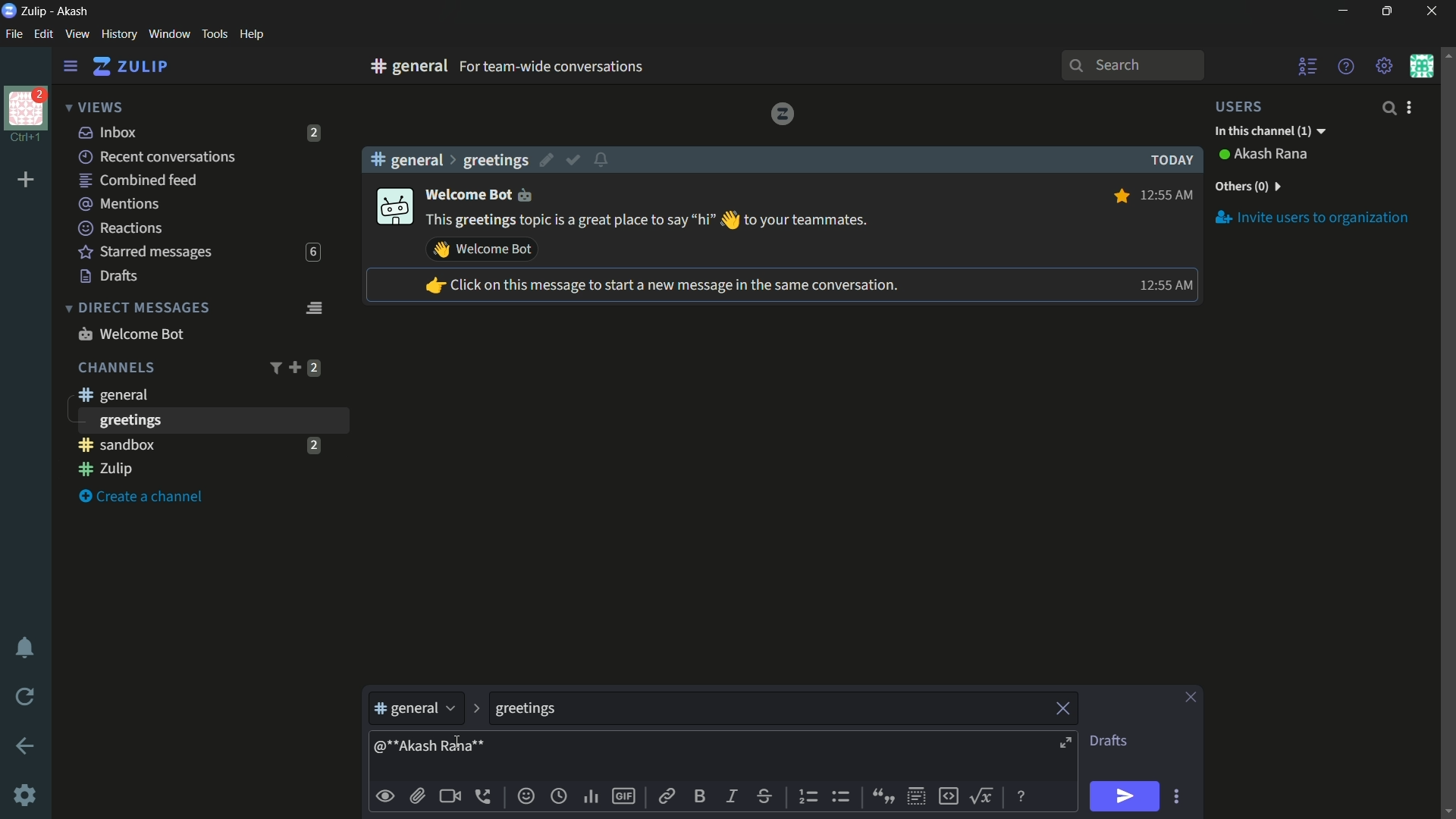  I want to click on profile, so click(26, 107).